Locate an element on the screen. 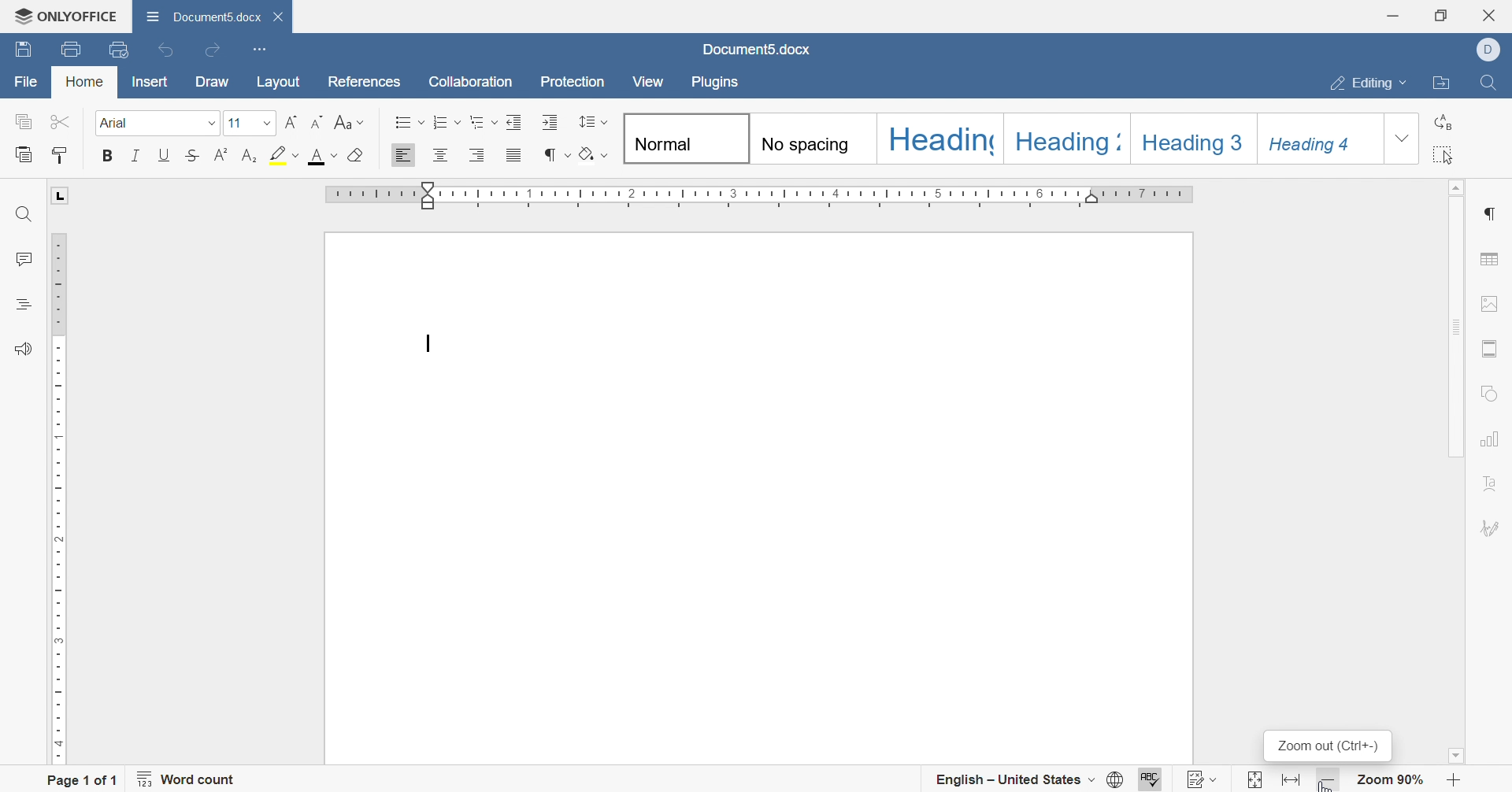 The width and height of the screenshot is (1512, 792). bullets is located at coordinates (407, 120).